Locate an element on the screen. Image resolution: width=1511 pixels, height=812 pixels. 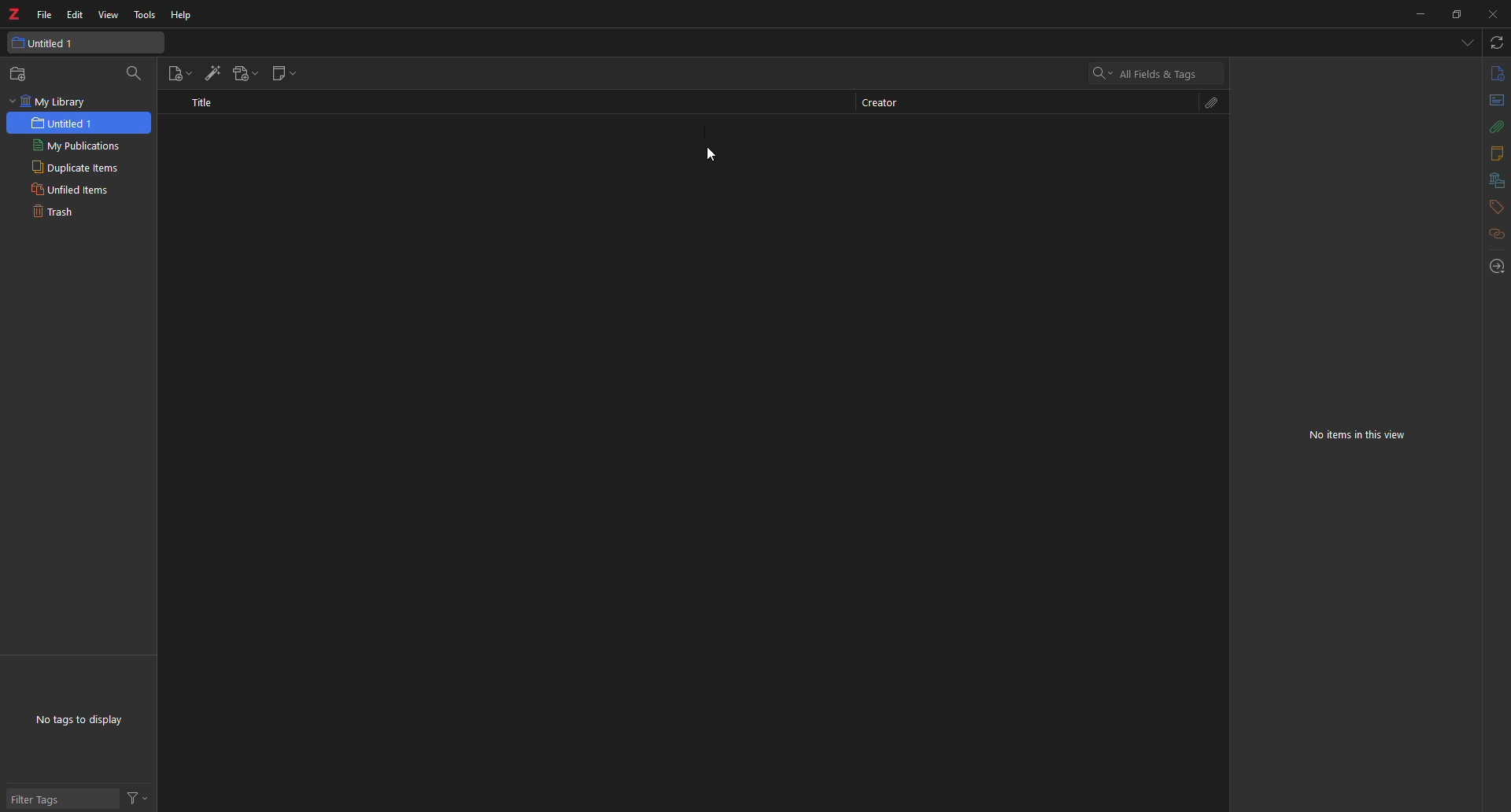
untitled 1 is located at coordinates (65, 123).